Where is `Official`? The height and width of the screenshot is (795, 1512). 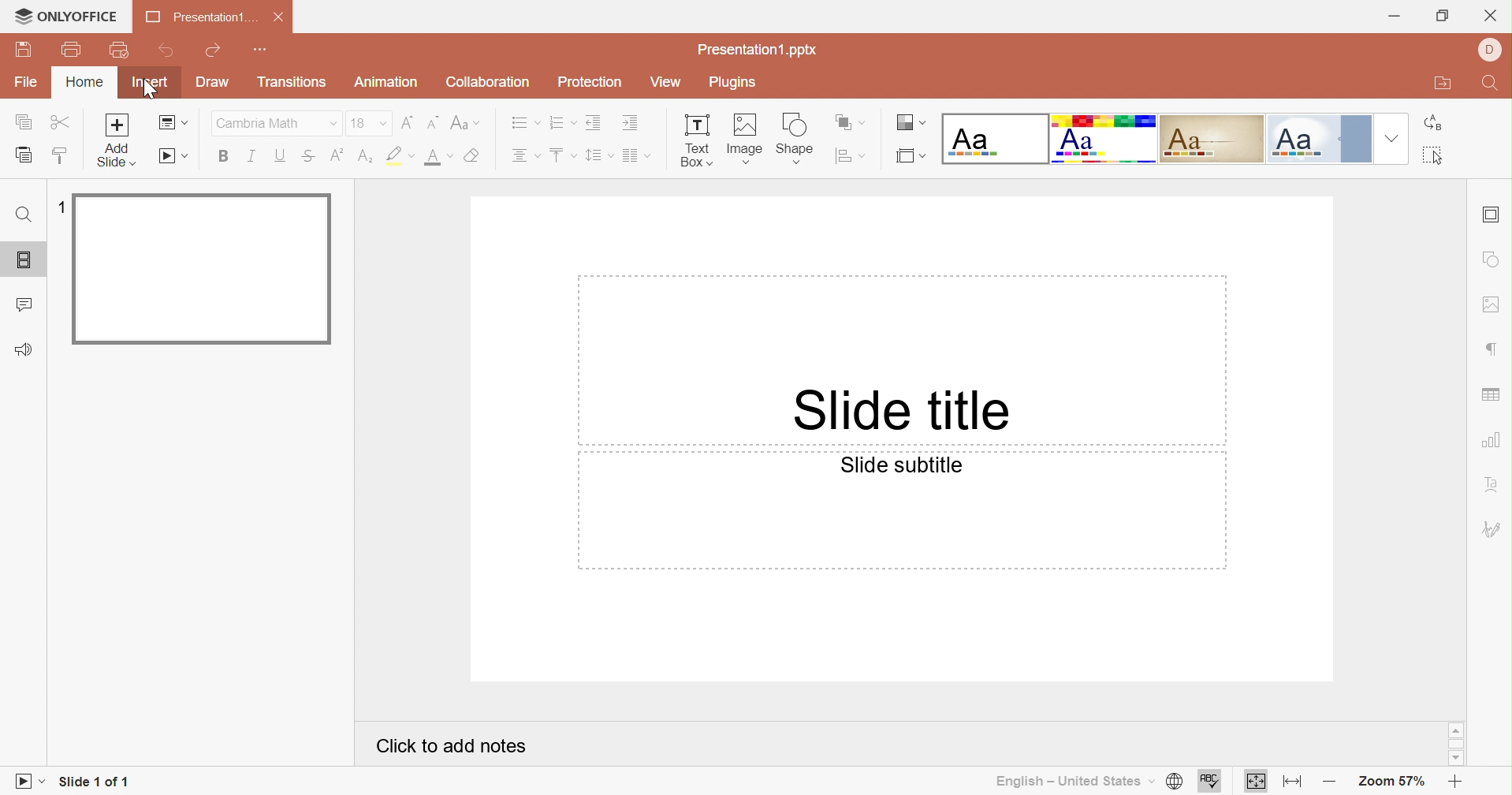 Official is located at coordinates (1318, 139).